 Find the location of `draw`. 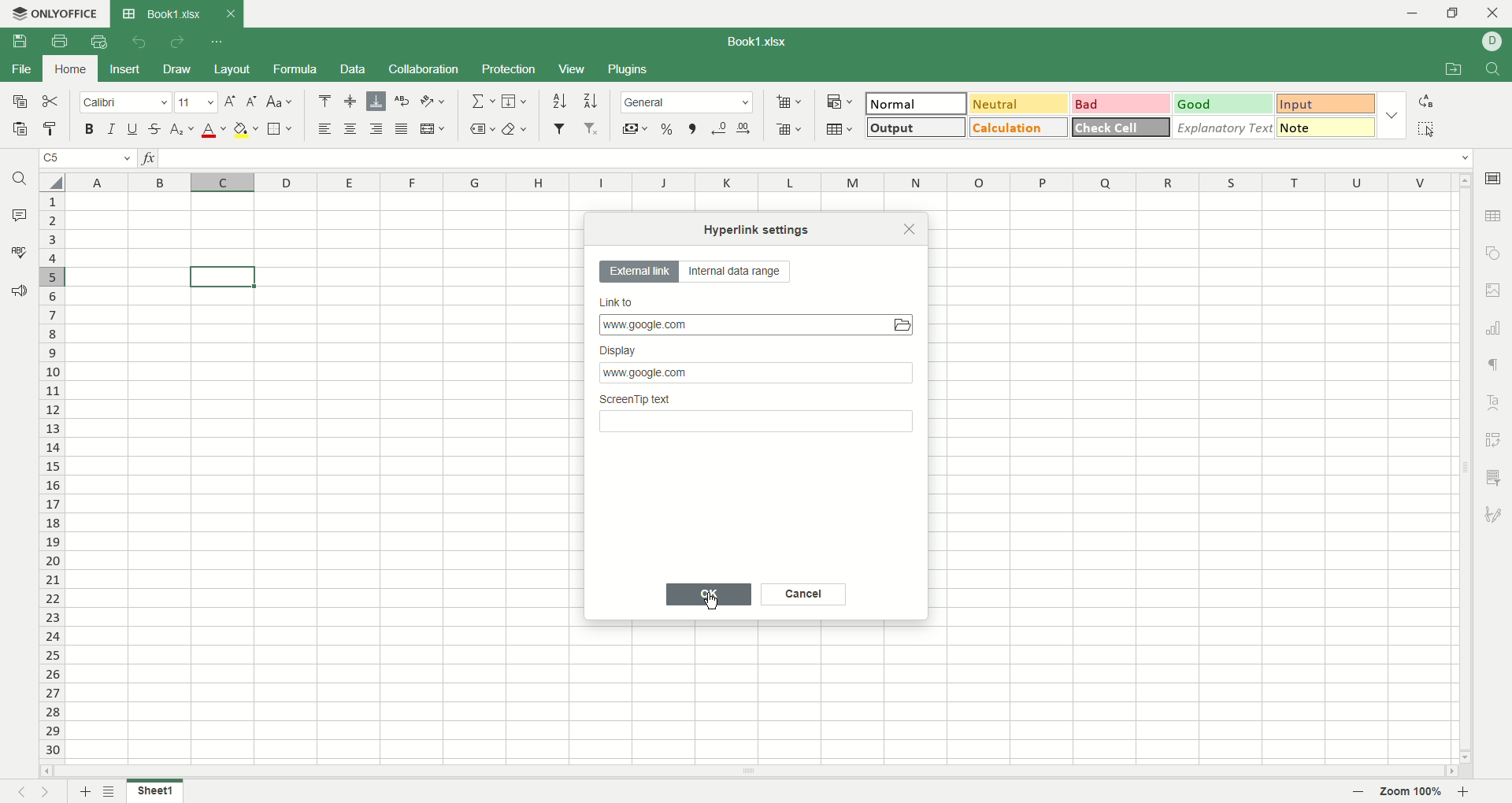

draw is located at coordinates (179, 70).